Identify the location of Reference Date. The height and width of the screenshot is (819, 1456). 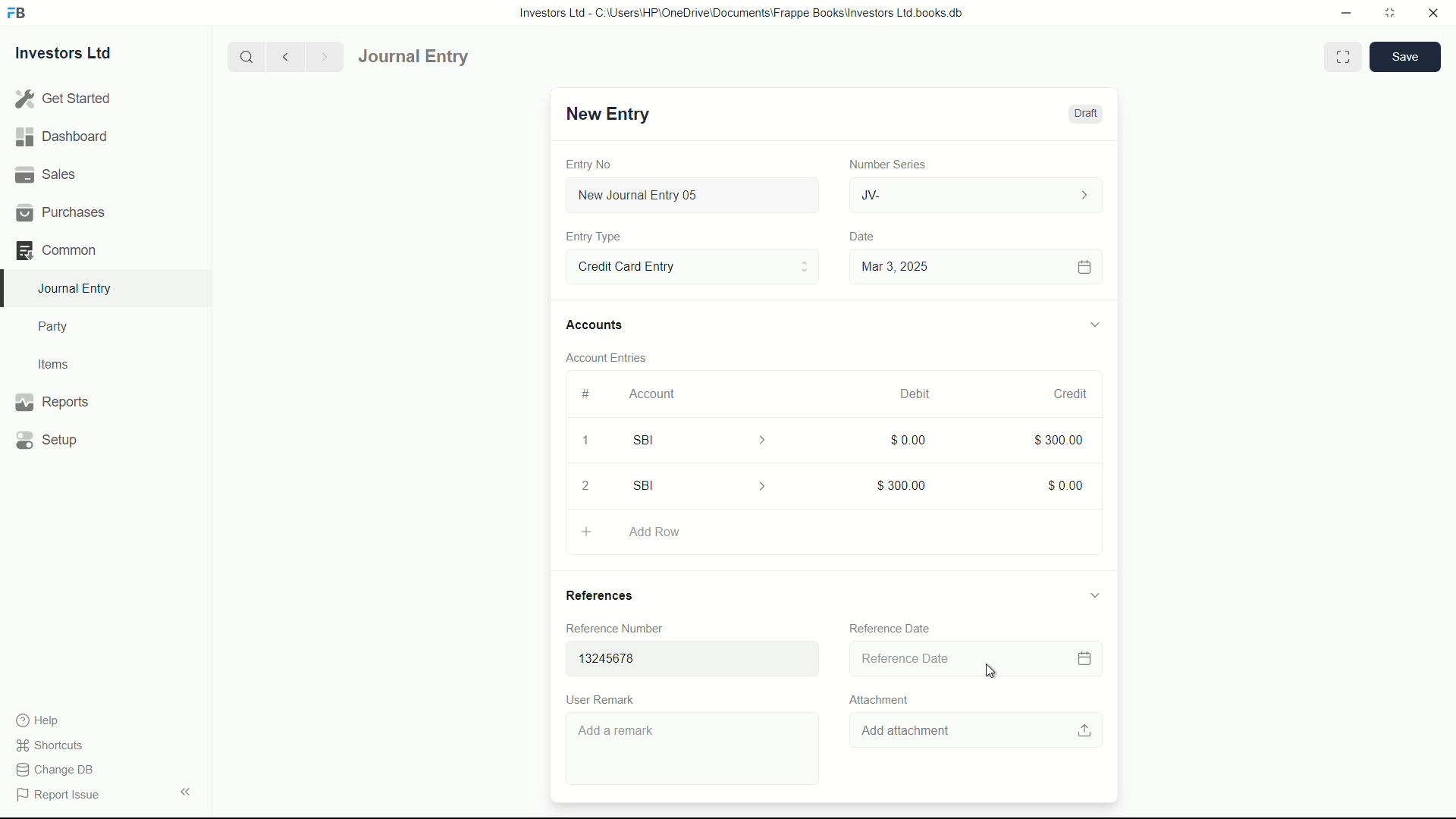
(971, 660).